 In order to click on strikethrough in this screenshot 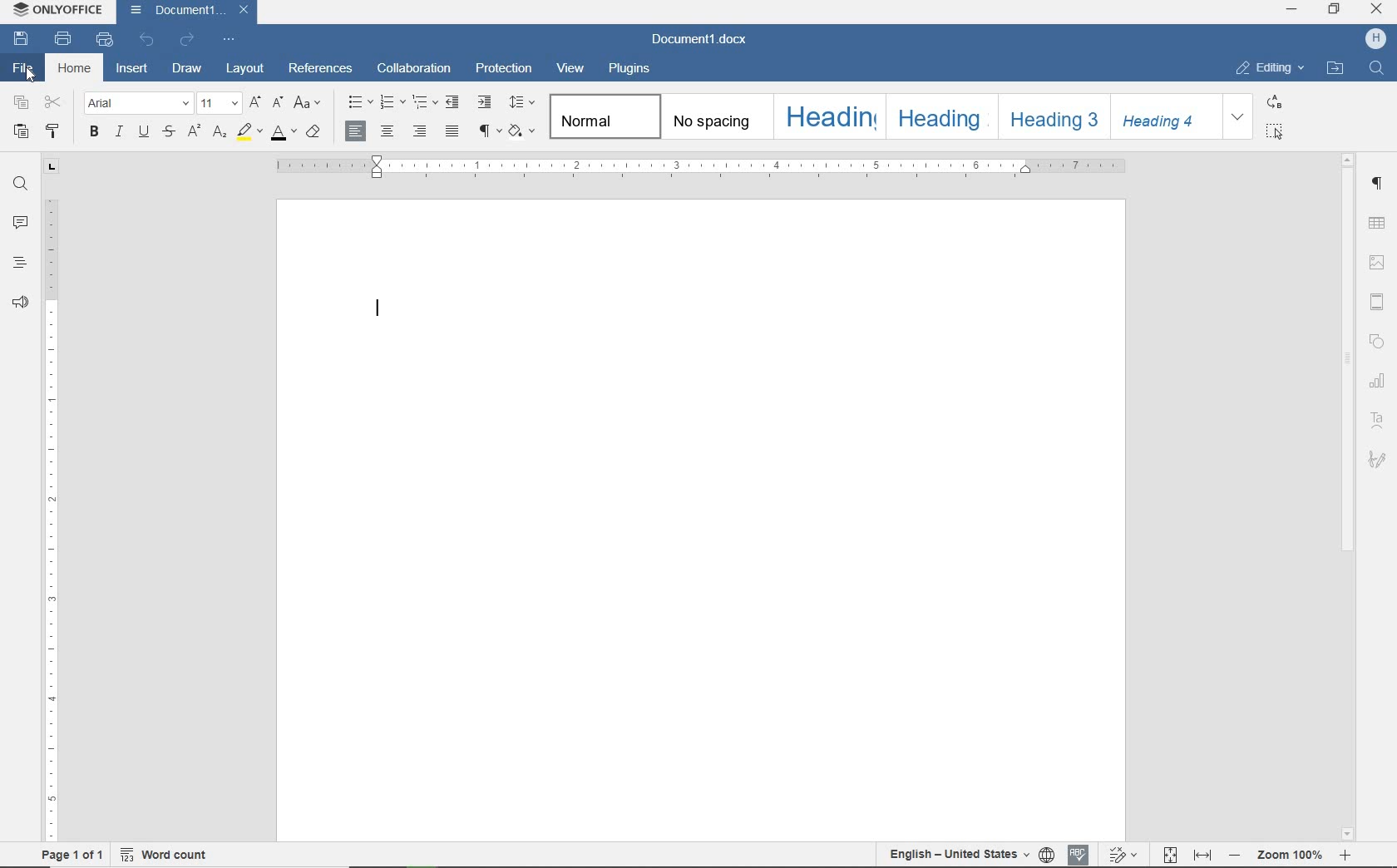, I will do `click(170, 131)`.